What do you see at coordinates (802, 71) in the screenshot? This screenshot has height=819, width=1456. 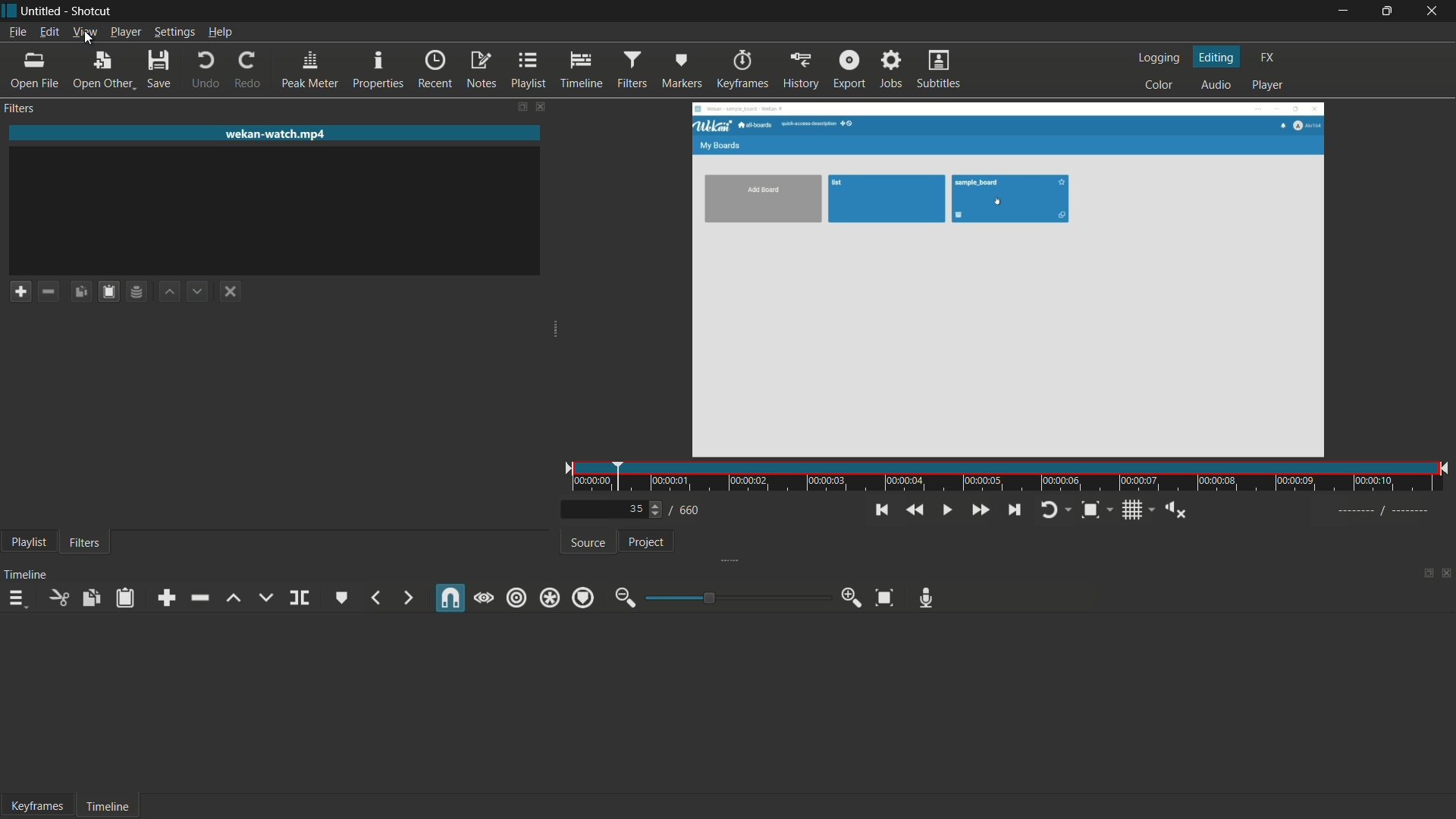 I see `history` at bounding box center [802, 71].